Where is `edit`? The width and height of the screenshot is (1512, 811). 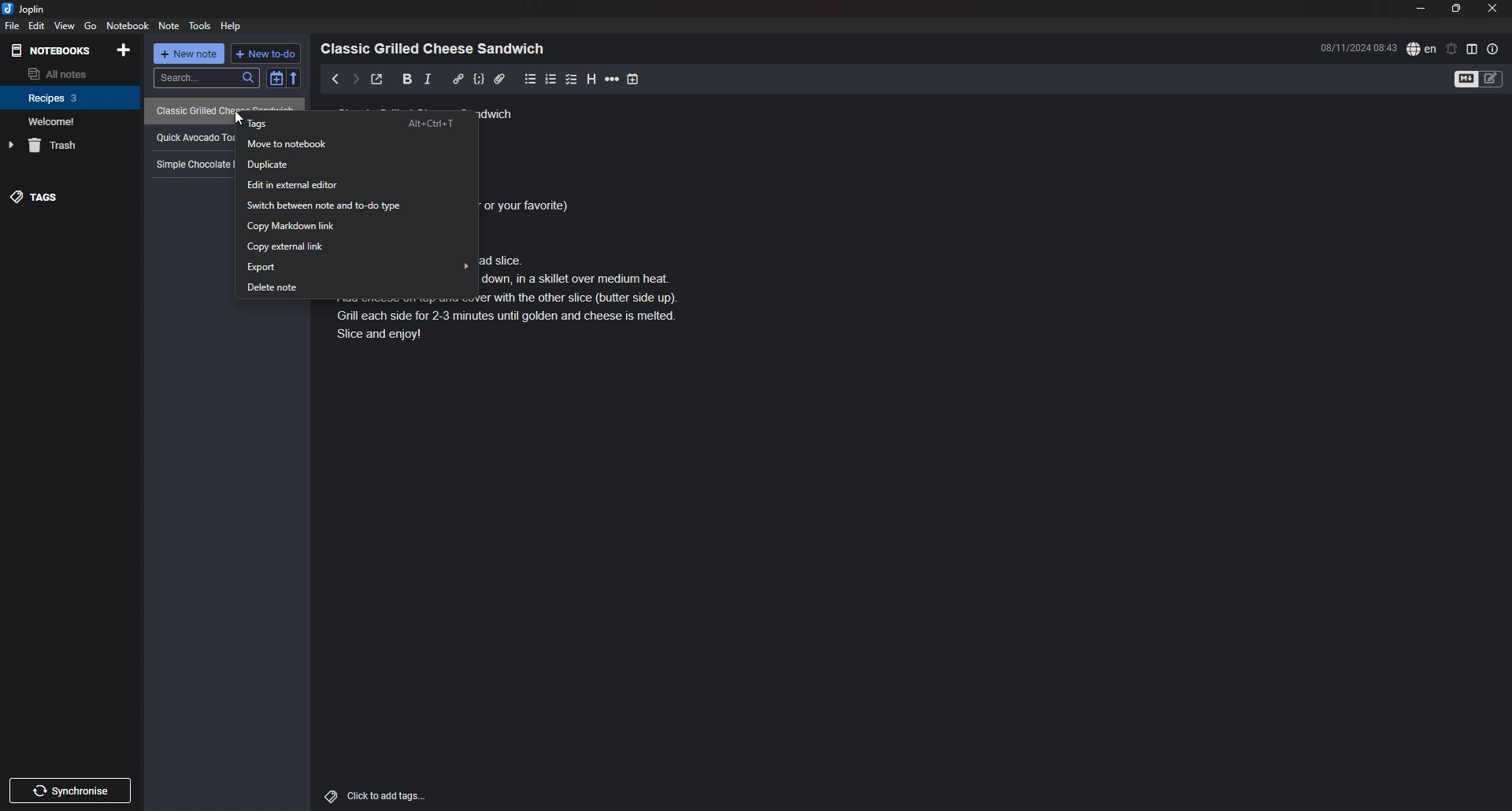 edit is located at coordinates (35, 26).